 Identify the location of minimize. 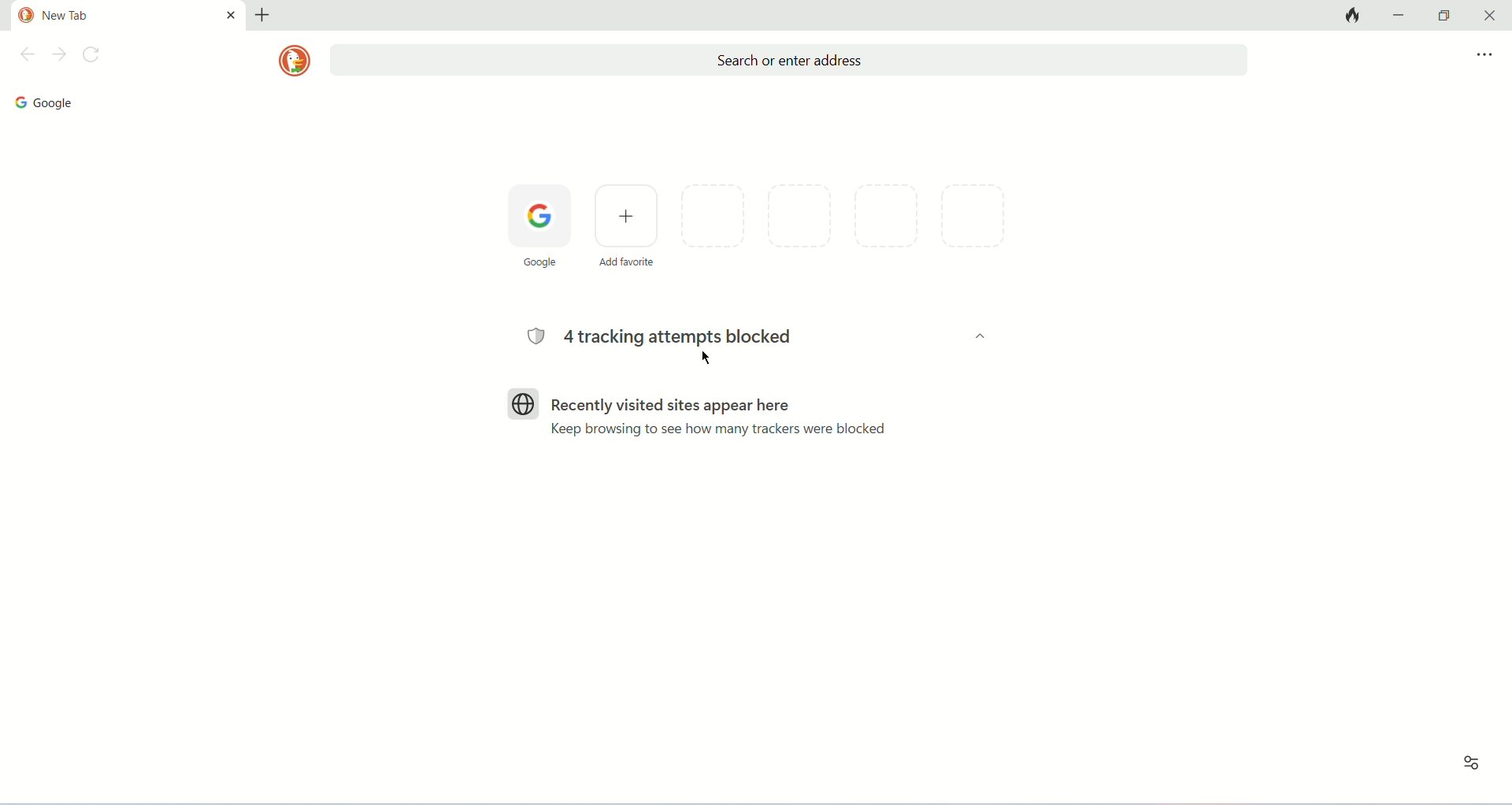
(1402, 14).